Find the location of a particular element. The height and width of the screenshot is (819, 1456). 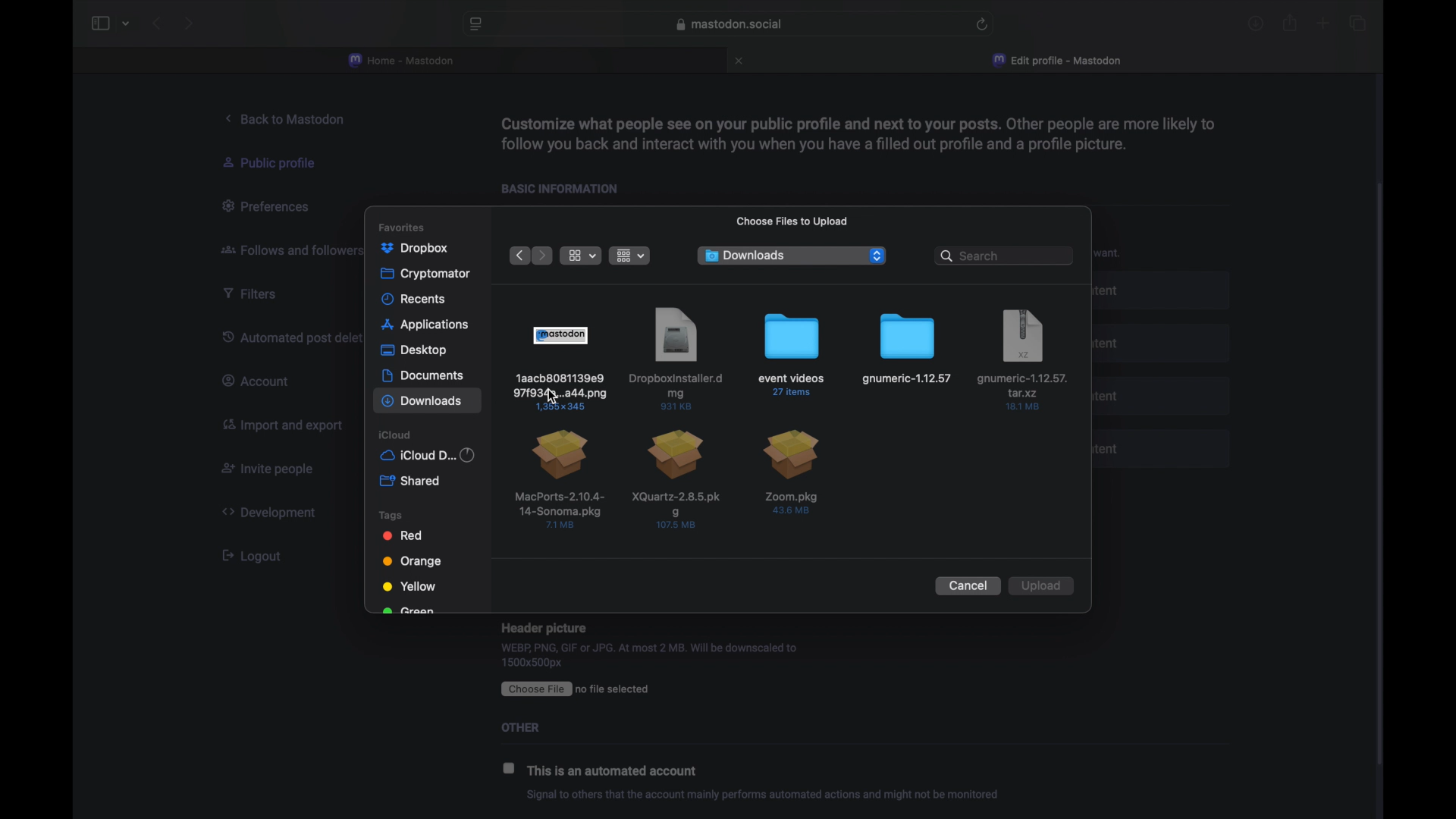

previous is located at coordinates (518, 256).